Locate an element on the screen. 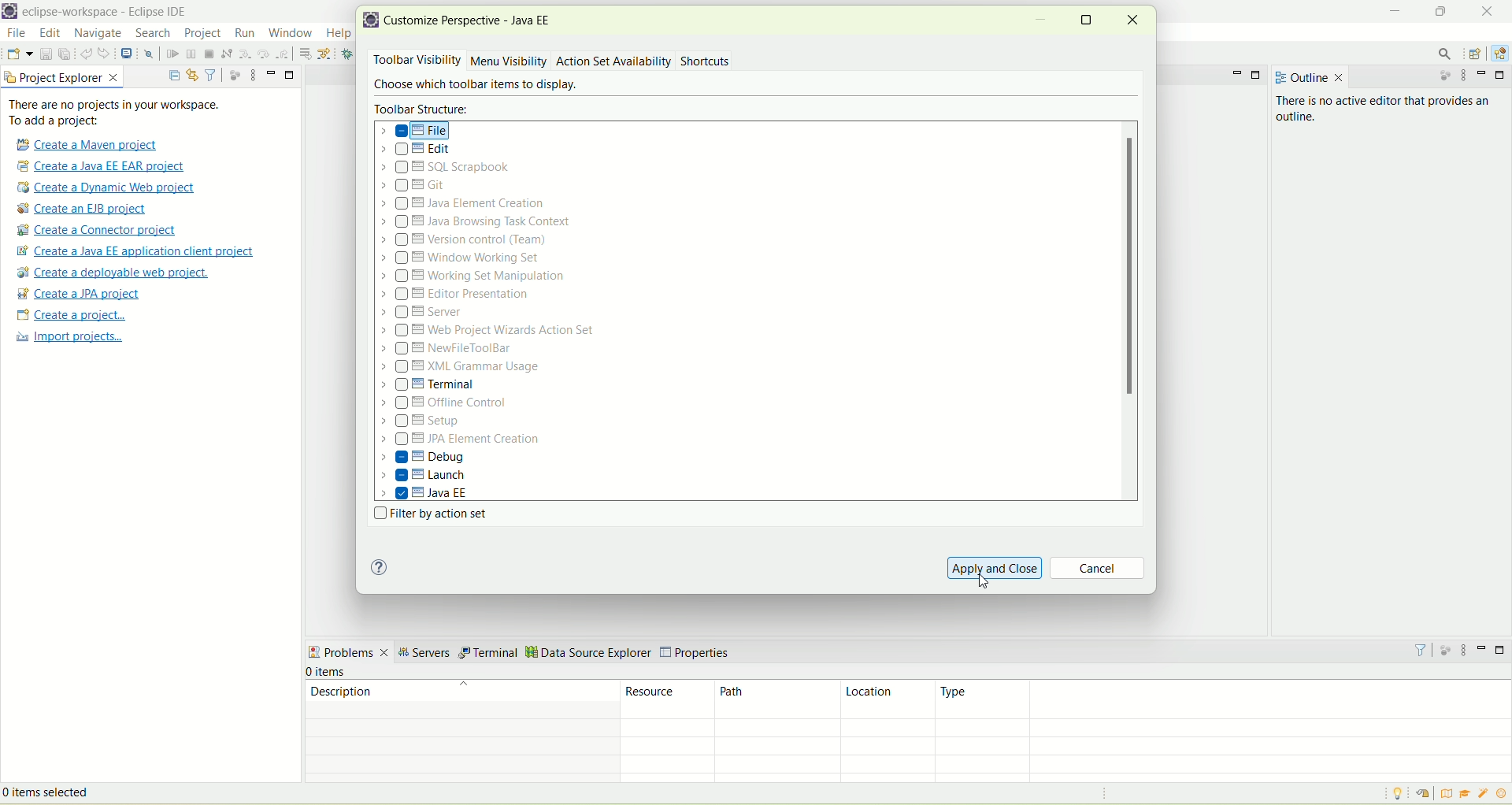  create a JPA project is located at coordinates (80, 294).